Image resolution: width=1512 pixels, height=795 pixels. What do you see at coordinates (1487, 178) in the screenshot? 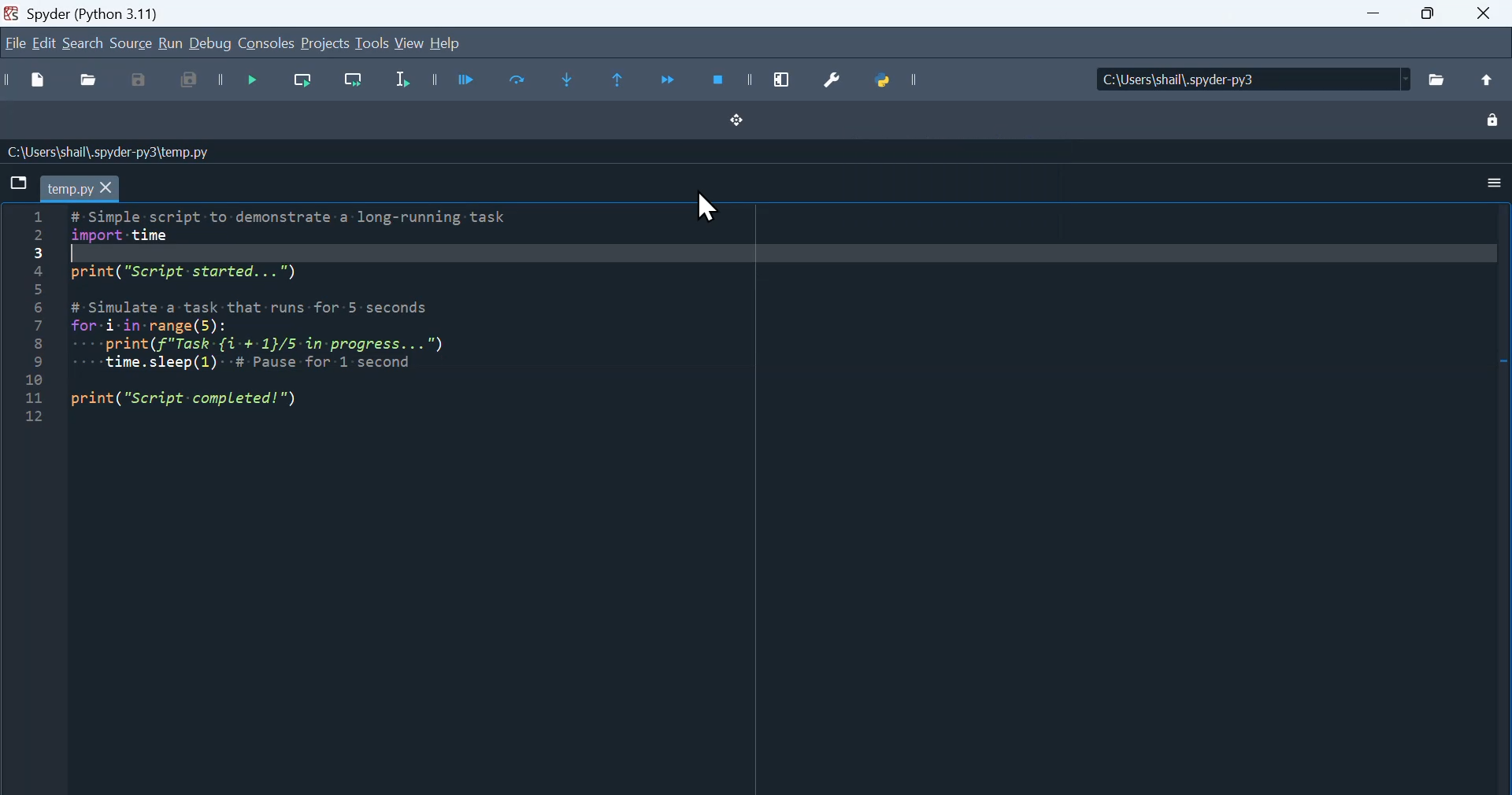
I see `More options` at bounding box center [1487, 178].